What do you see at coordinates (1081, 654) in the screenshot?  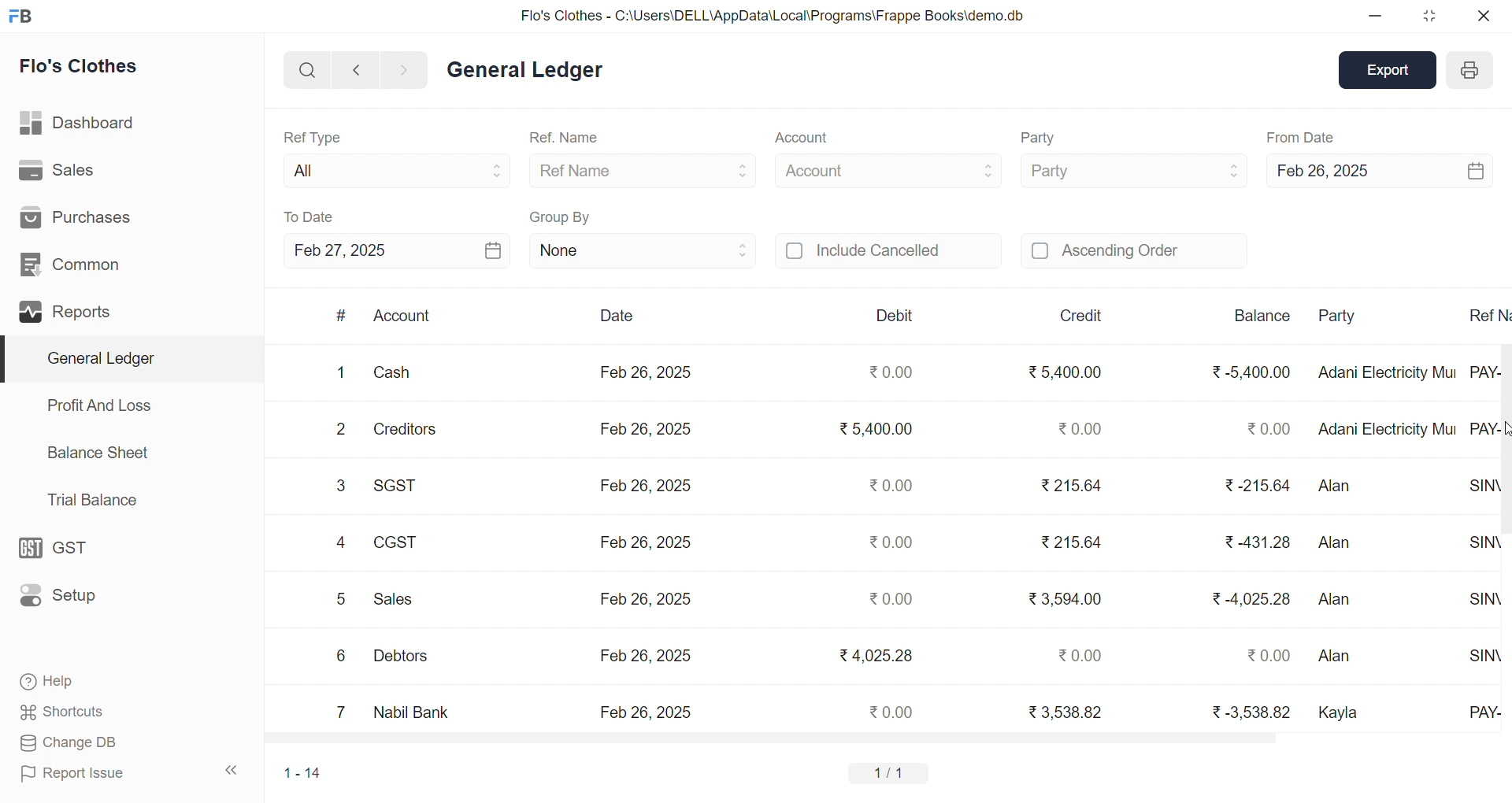 I see `₹0.00` at bounding box center [1081, 654].